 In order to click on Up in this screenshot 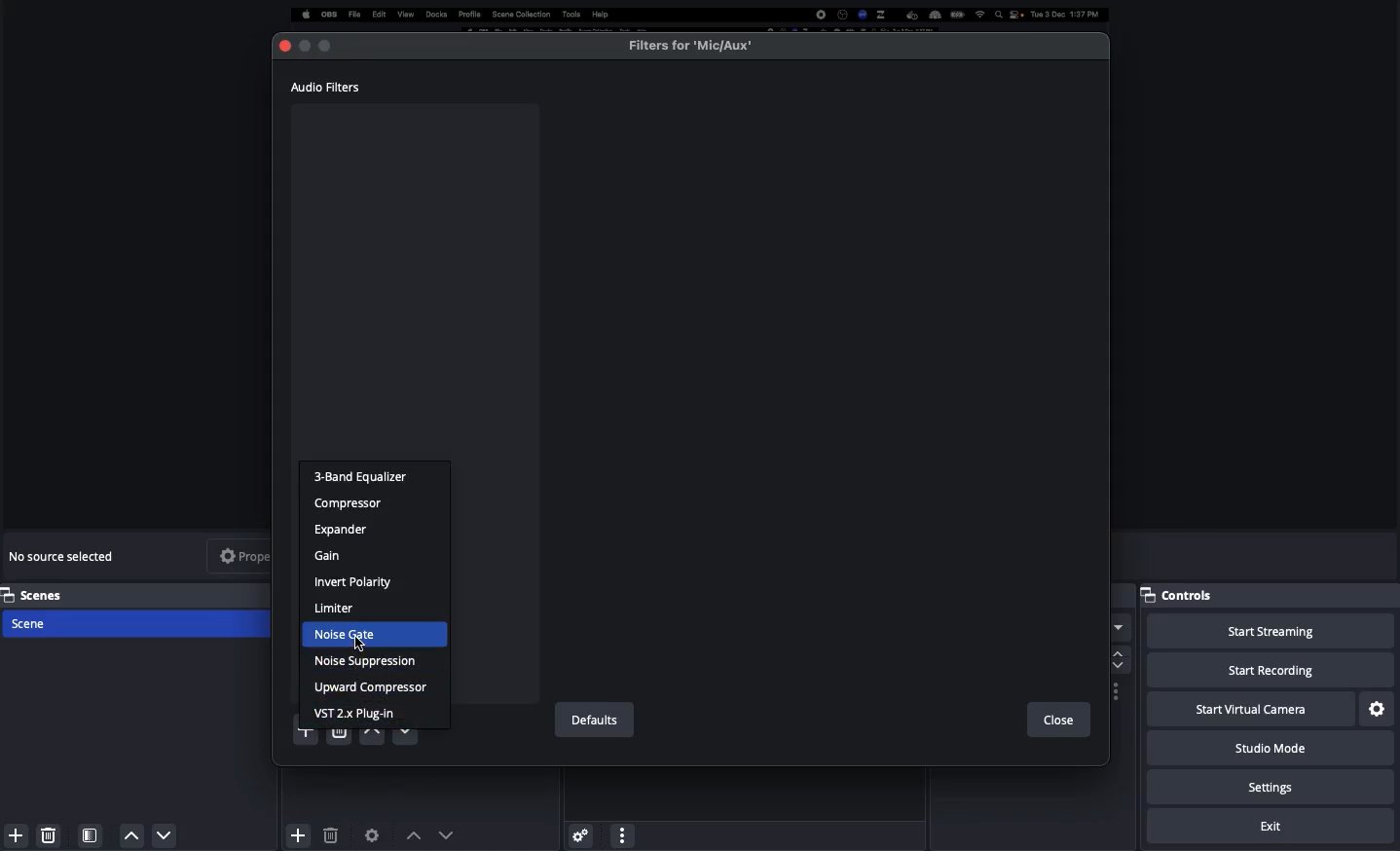, I will do `click(132, 835)`.